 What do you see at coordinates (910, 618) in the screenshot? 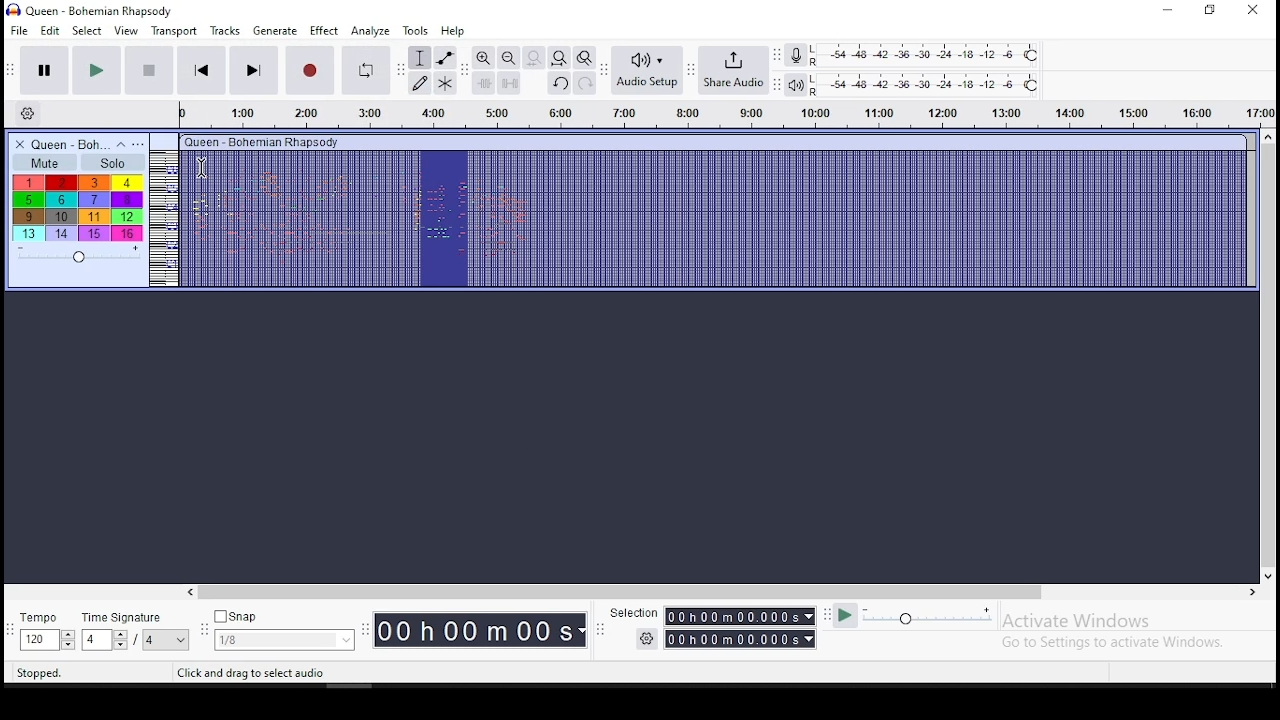
I see `playback speed` at bounding box center [910, 618].